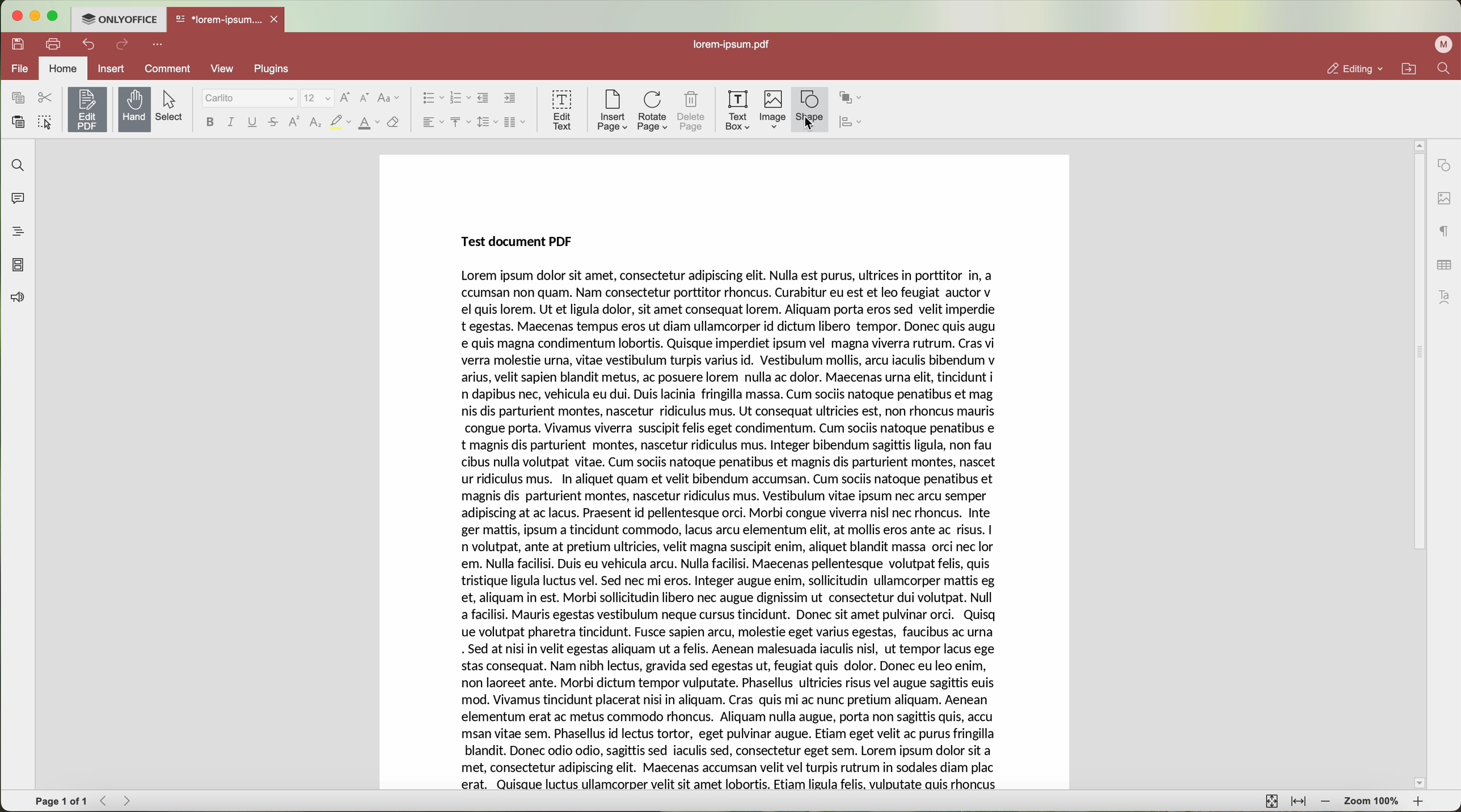 Image resolution: width=1461 pixels, height=812 pixels. What do you see at coordinates (54, 18) in the screenshot?
I see `maximize` at bounding box center [54, 18].